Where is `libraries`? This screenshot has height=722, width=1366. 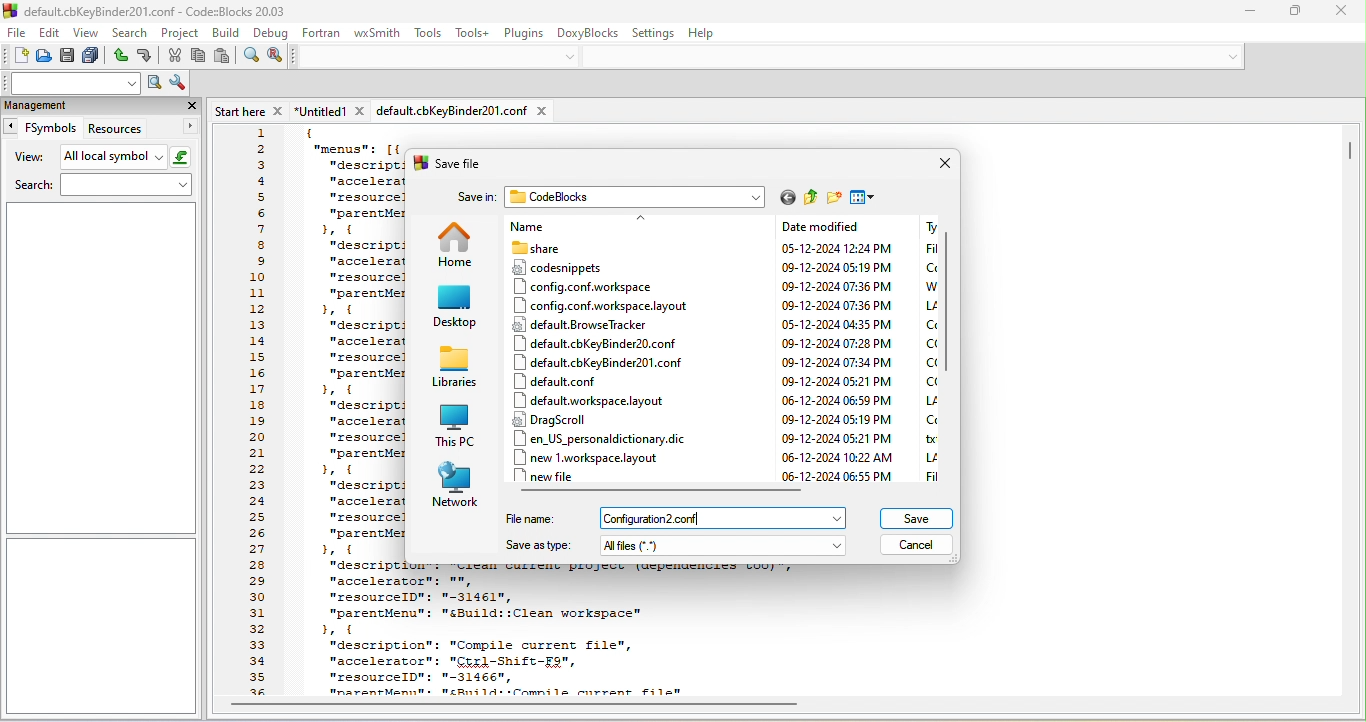
libraries is located at coordinates (458, 367).